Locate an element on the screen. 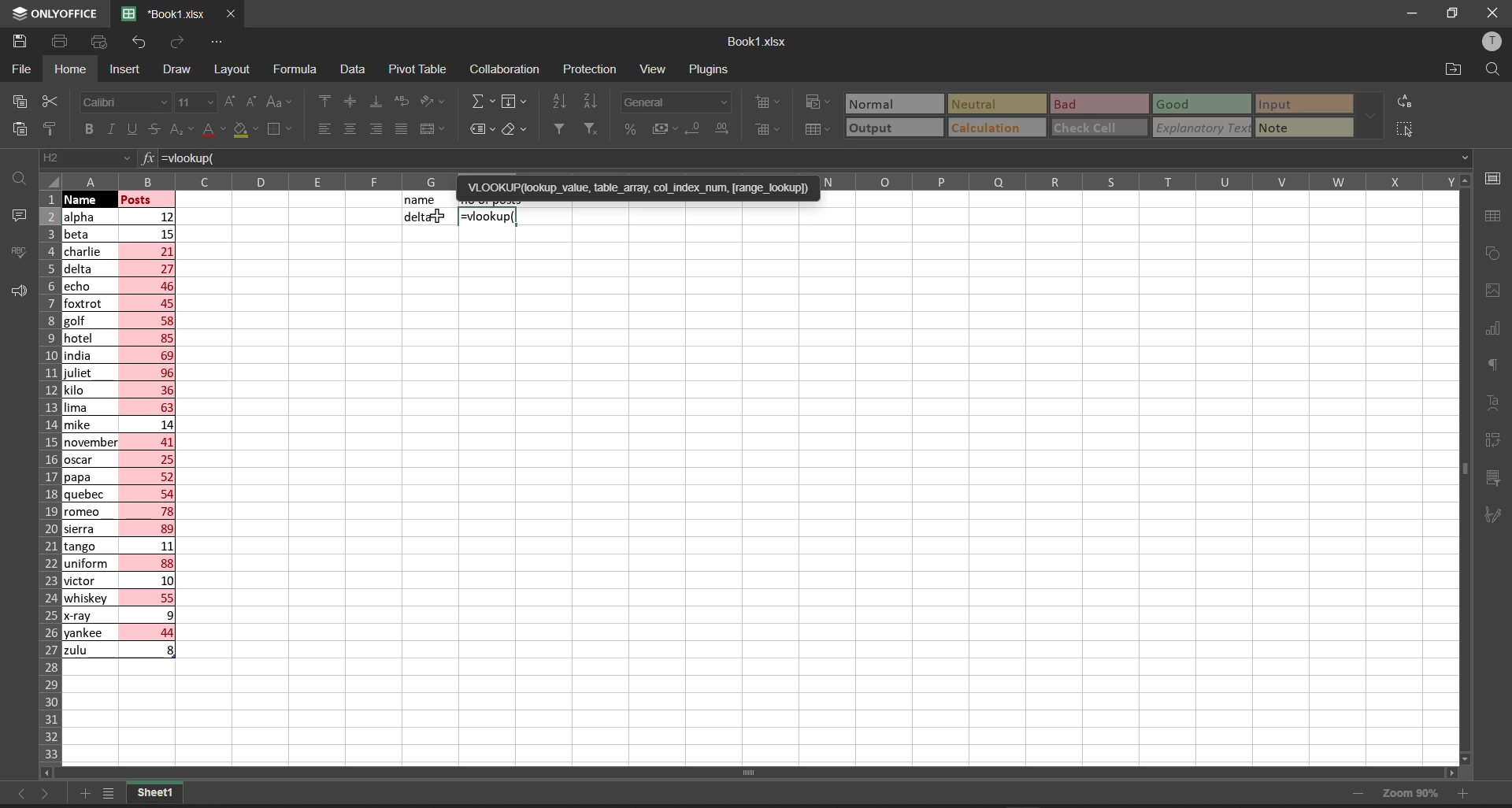  data is located at coordinates (353, 69).